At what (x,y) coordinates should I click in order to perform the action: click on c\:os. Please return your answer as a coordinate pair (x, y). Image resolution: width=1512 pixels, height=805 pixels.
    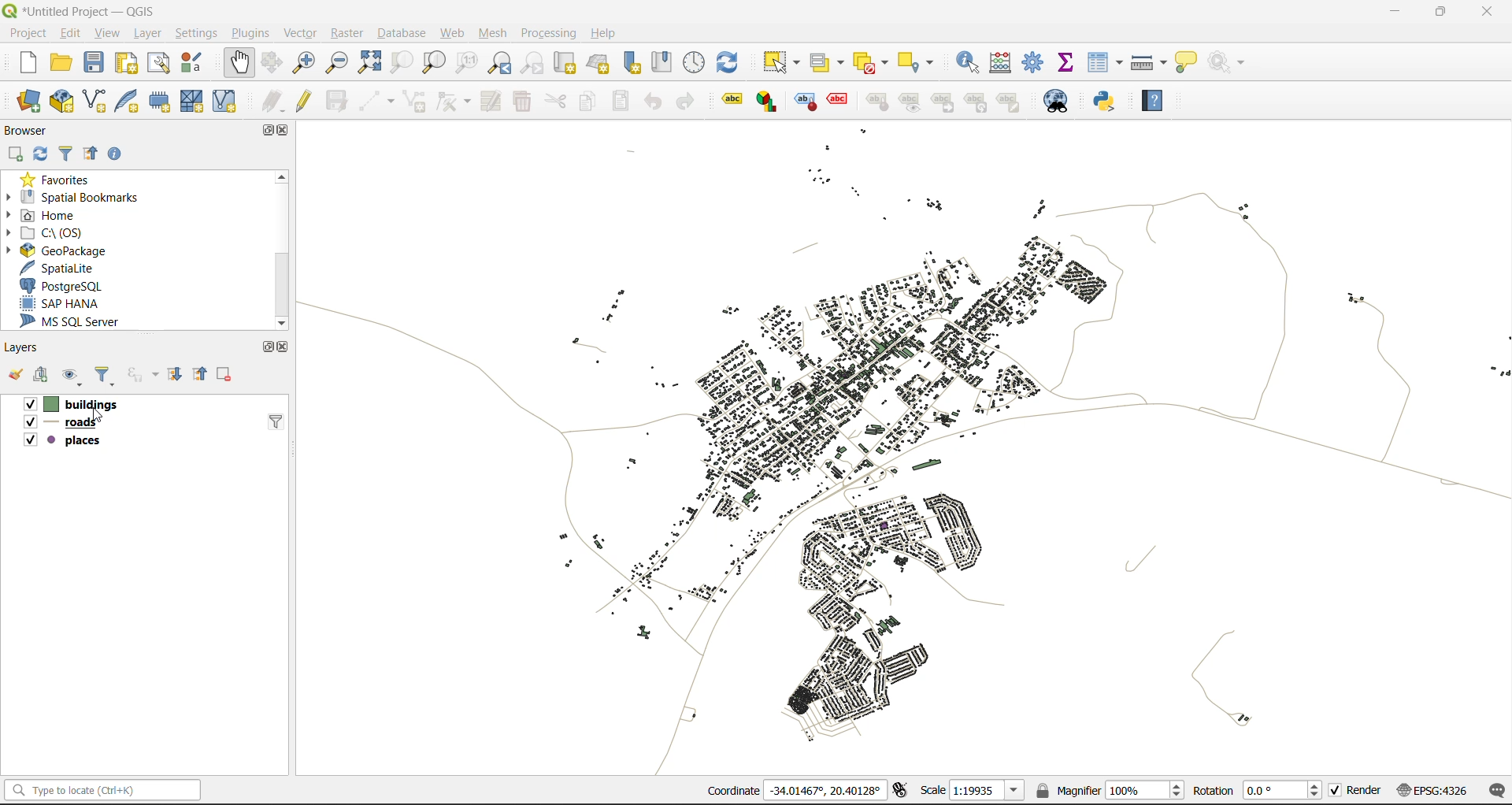
    Looking at the image, I should click on (57, 233).